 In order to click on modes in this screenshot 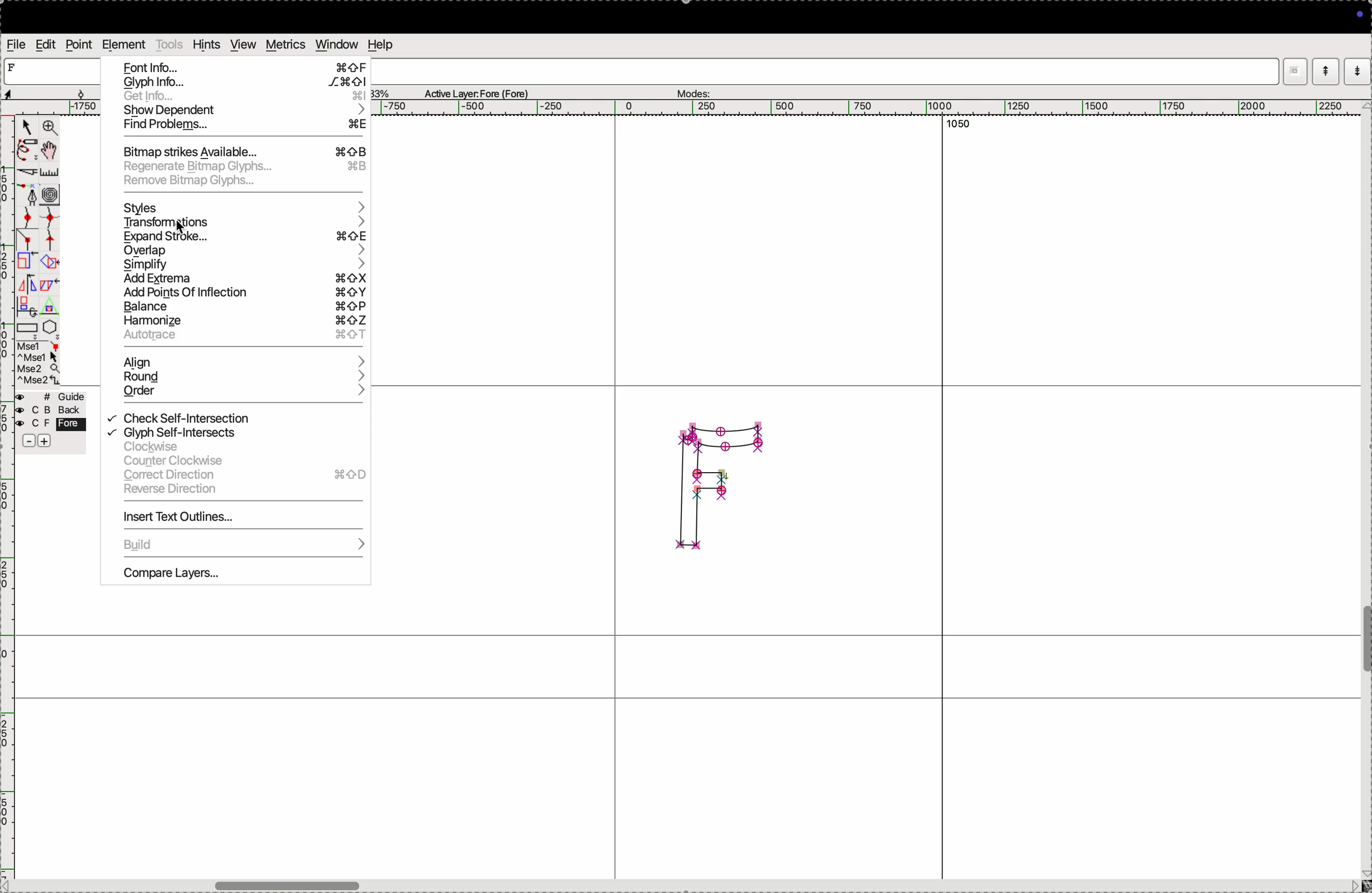, I will do `click(692, 91)`.